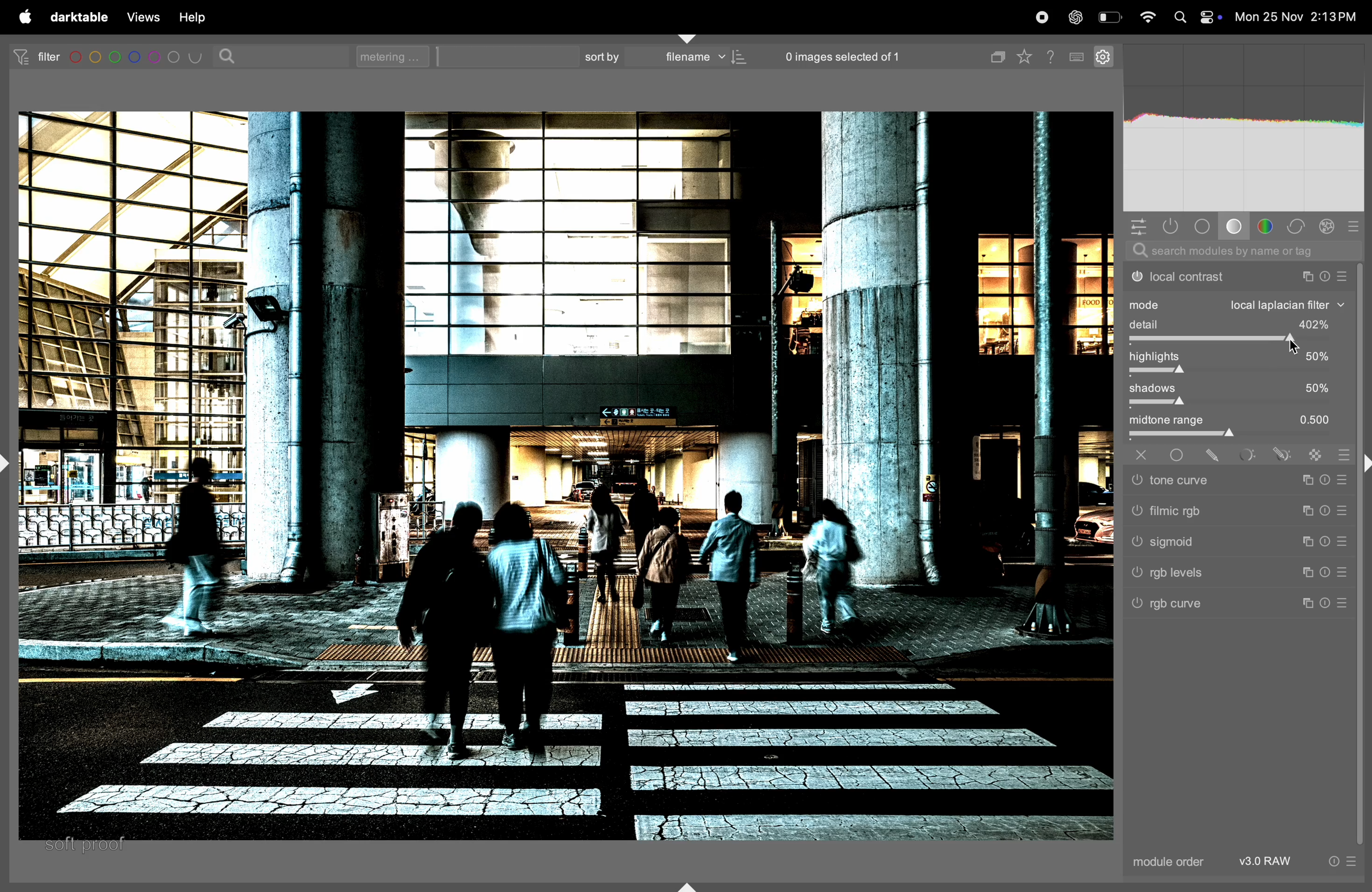 This screenshot has width=1372, height=892. What do you see at coordinates (1326, 509) in the screenshot?
I see `reset` at bounding box center [1326, 509].